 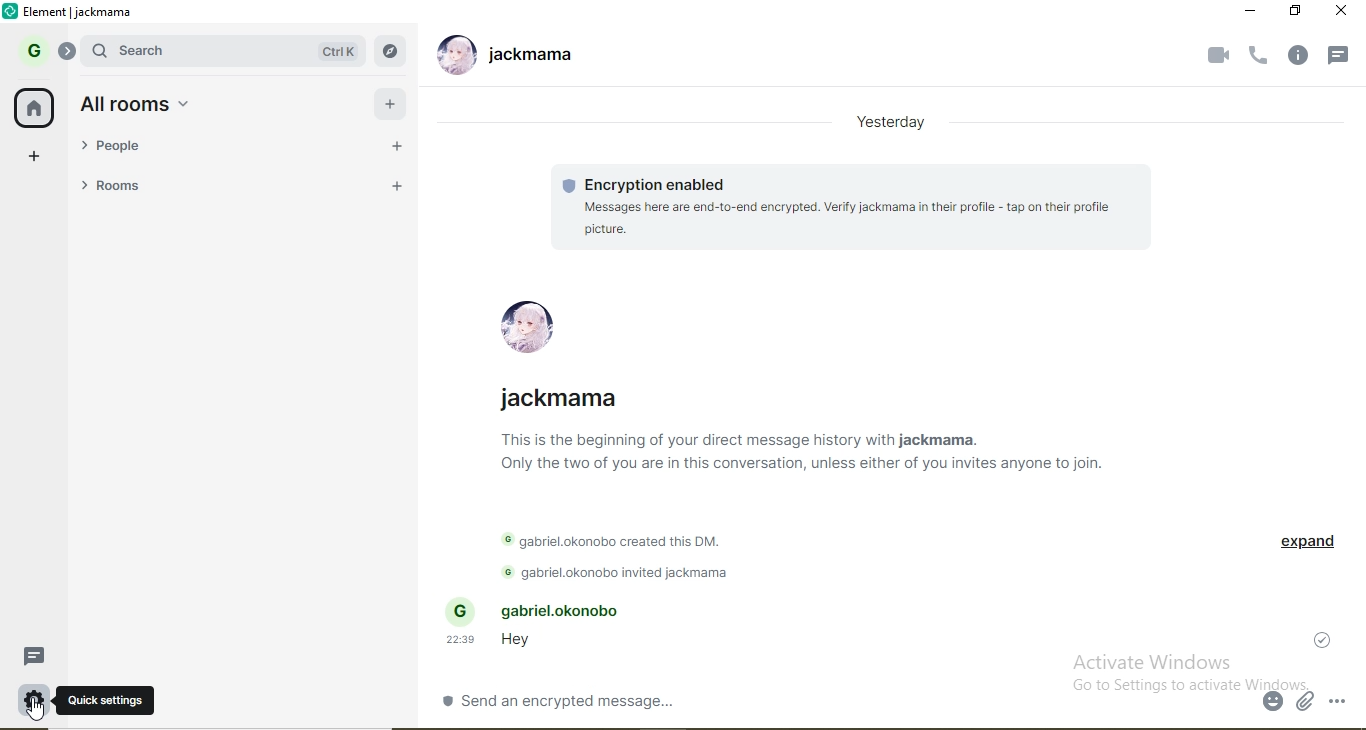 I want to click on settings, so click(x=34, y=700).